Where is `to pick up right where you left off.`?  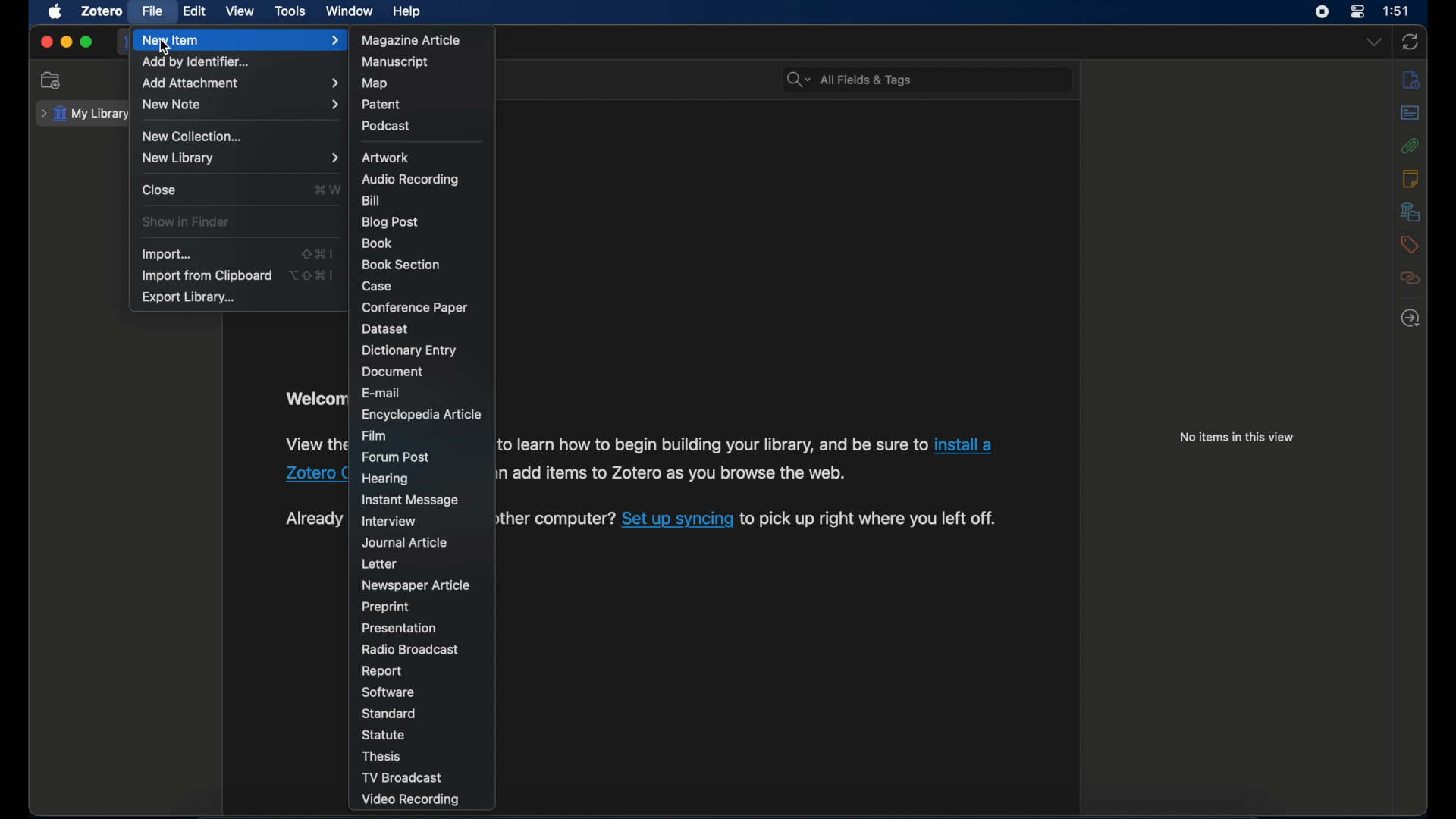
to pick up right where you left off. is located at coordinates (871, 519).